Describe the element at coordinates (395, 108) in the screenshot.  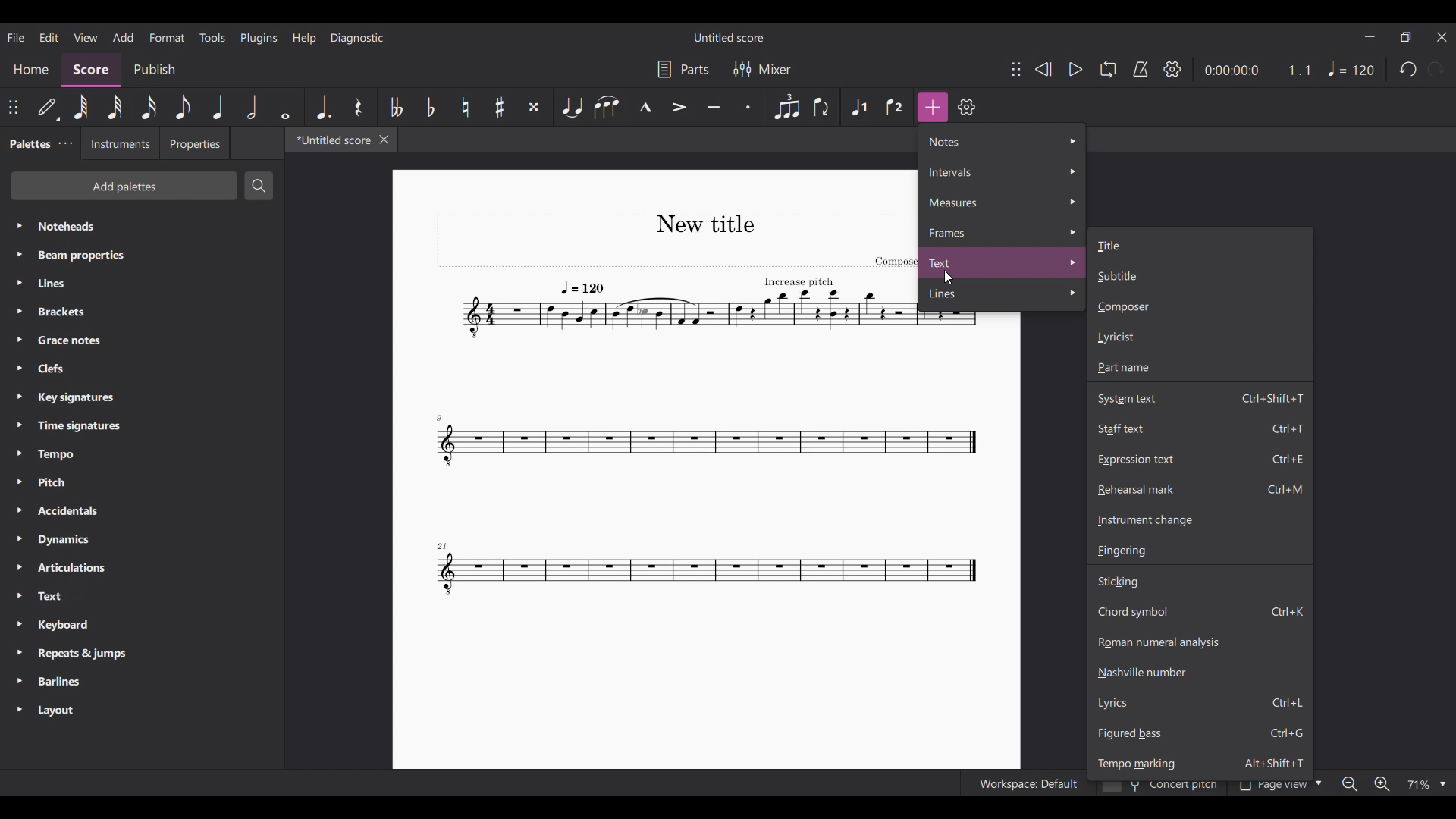
I see `Toggle double flat` at that location.